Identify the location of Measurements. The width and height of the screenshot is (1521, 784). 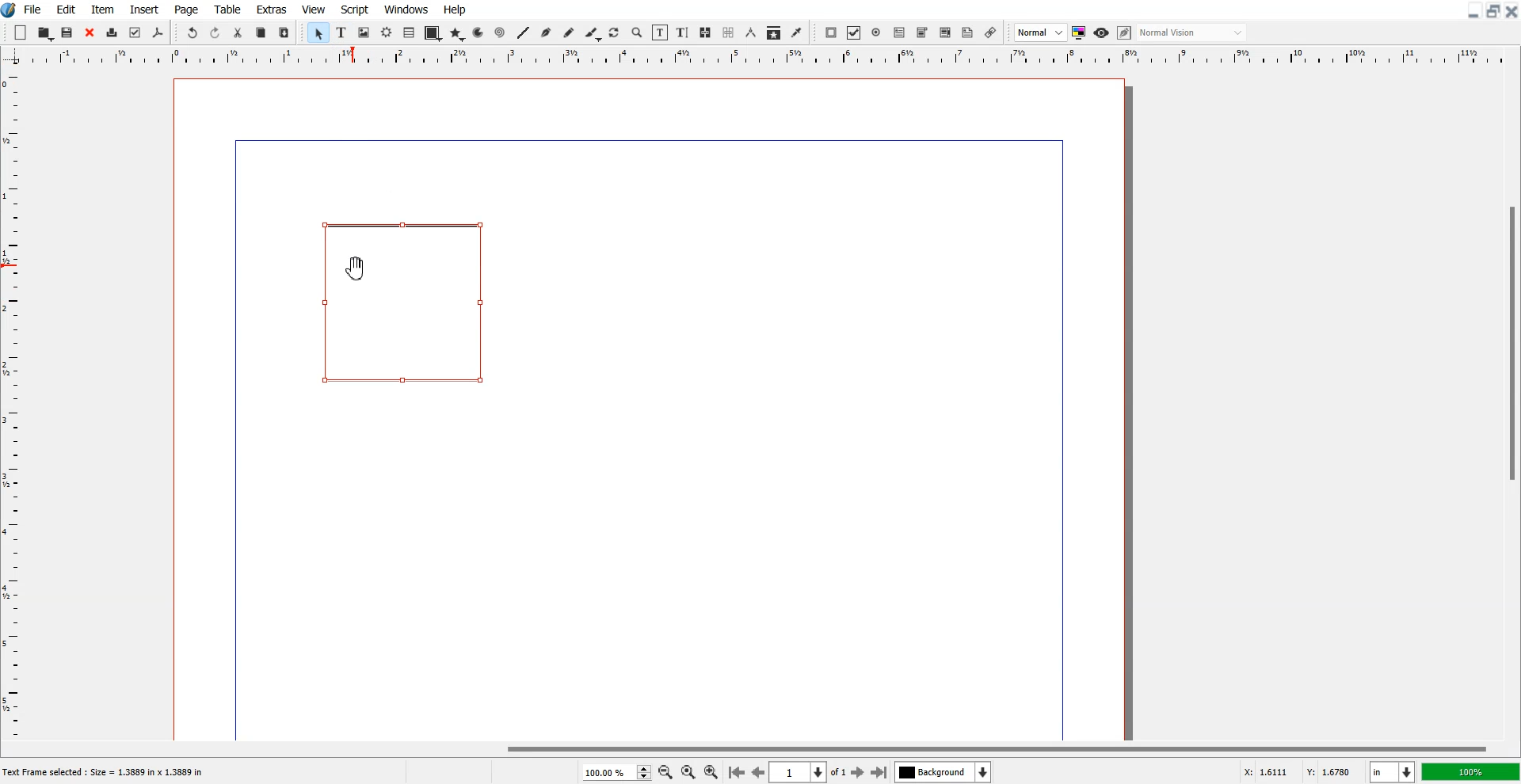
(752, 32).